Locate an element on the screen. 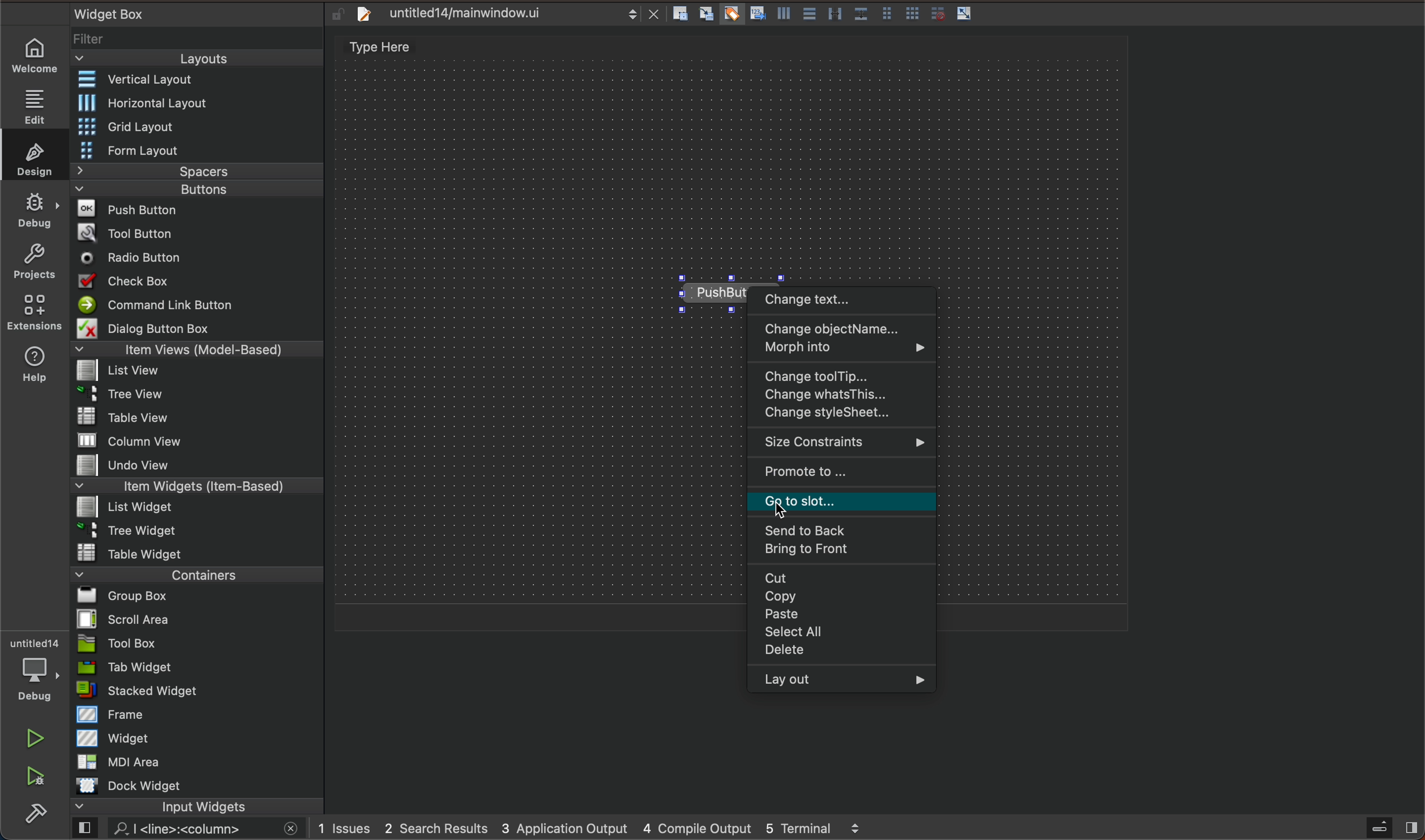 This screenshot has width=1425, height=840. type here is located at coordinates (387, 48).